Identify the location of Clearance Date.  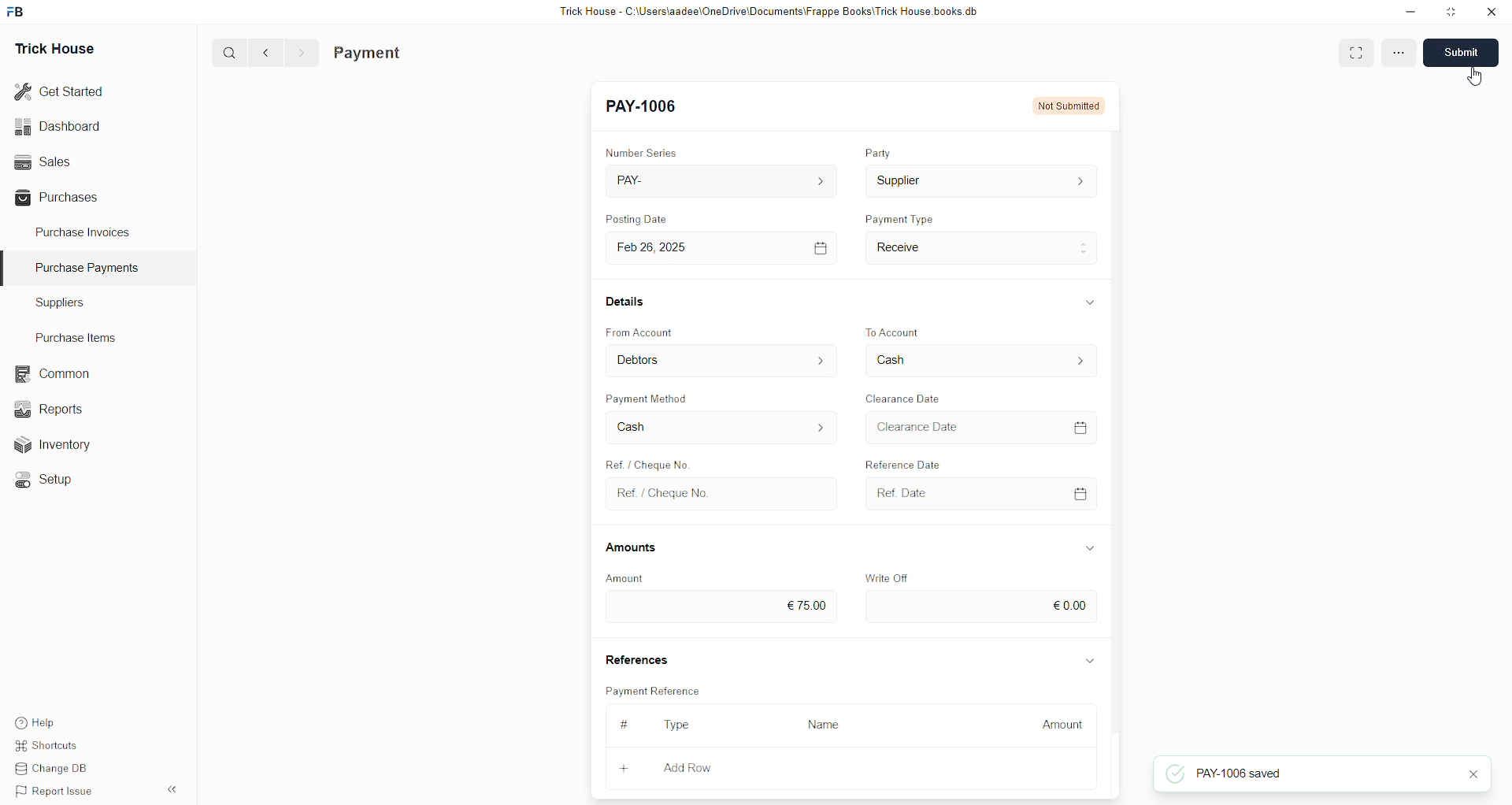
(905, 397).